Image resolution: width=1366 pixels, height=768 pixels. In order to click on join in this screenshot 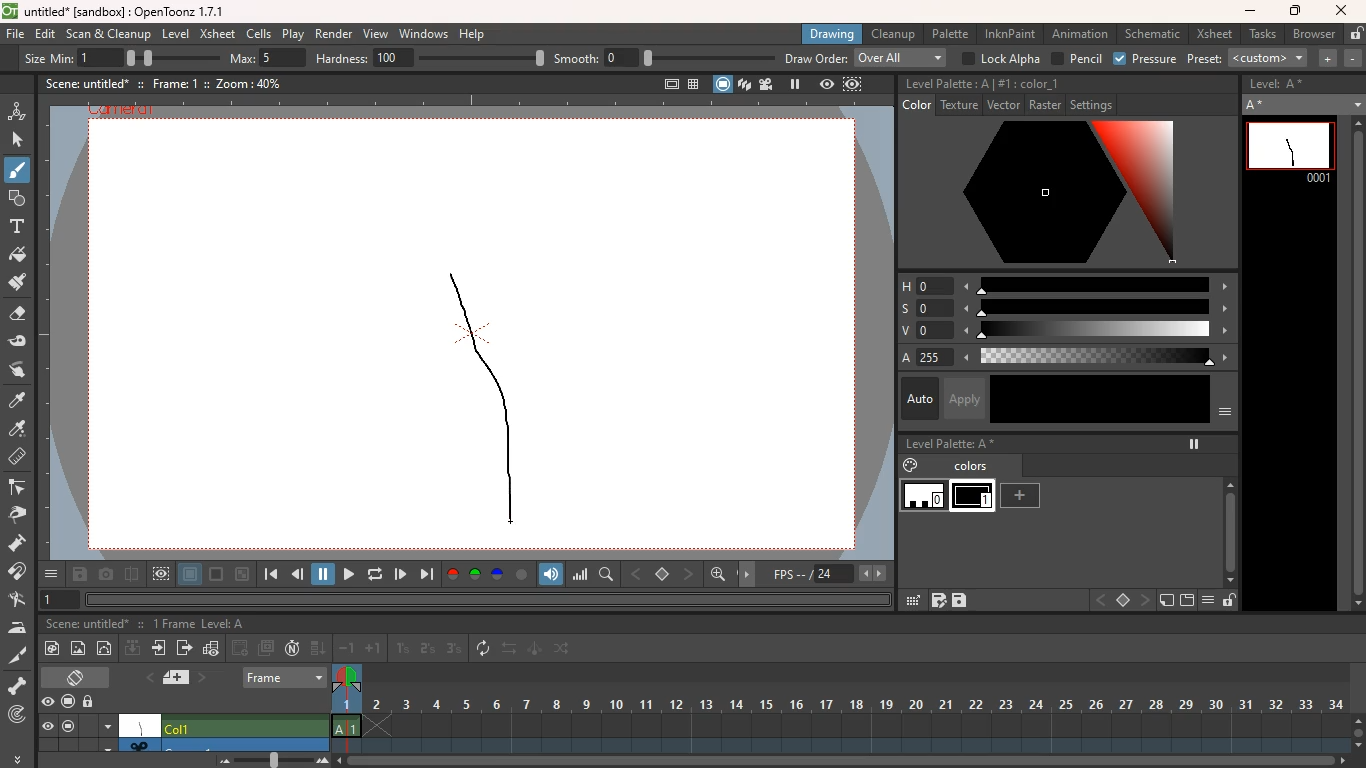, I will do `click(20, 573)`.